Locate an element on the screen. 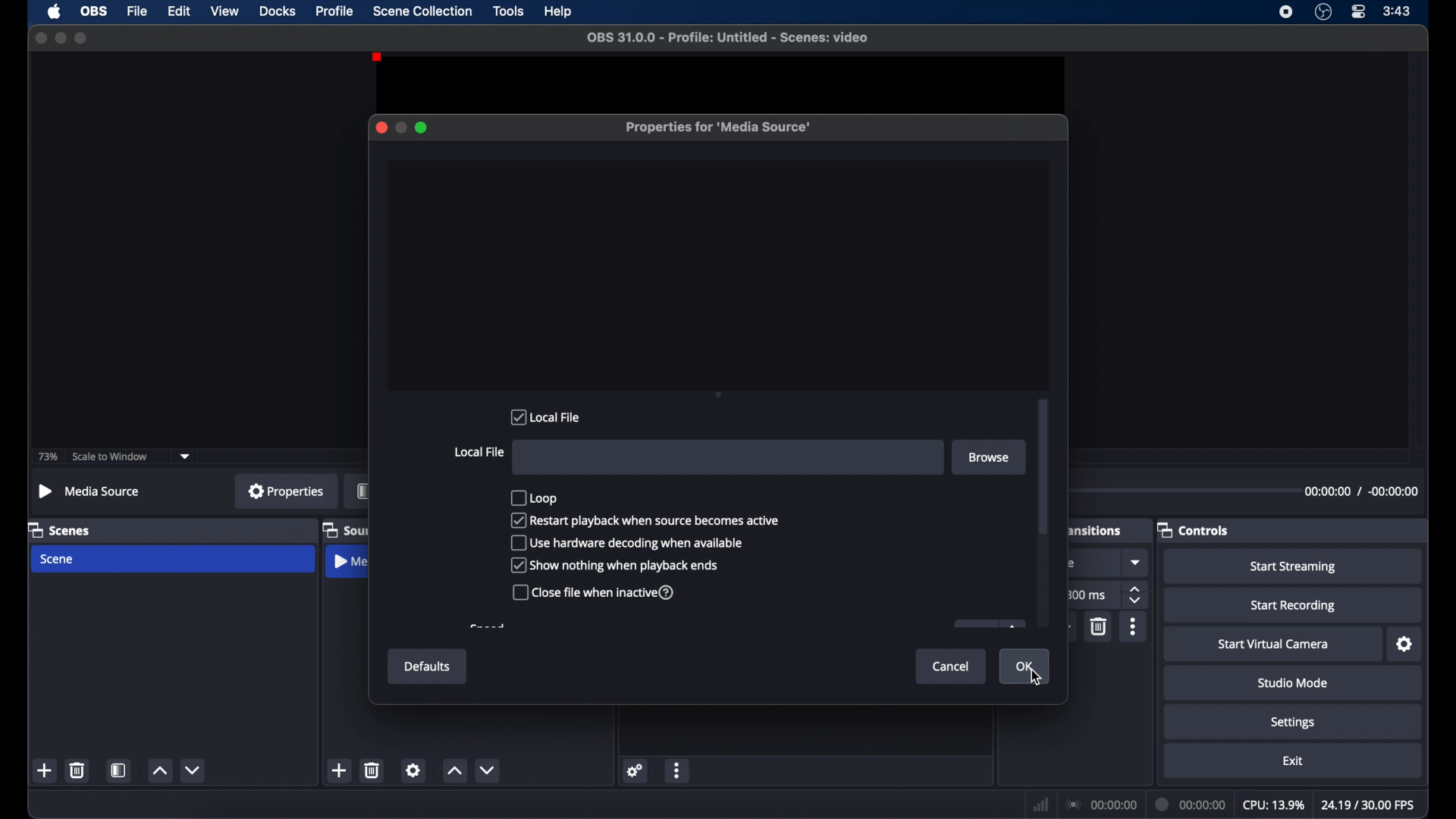 The width and height of the screenshot is (1456, 819). add is located at coordinates (338, 770).